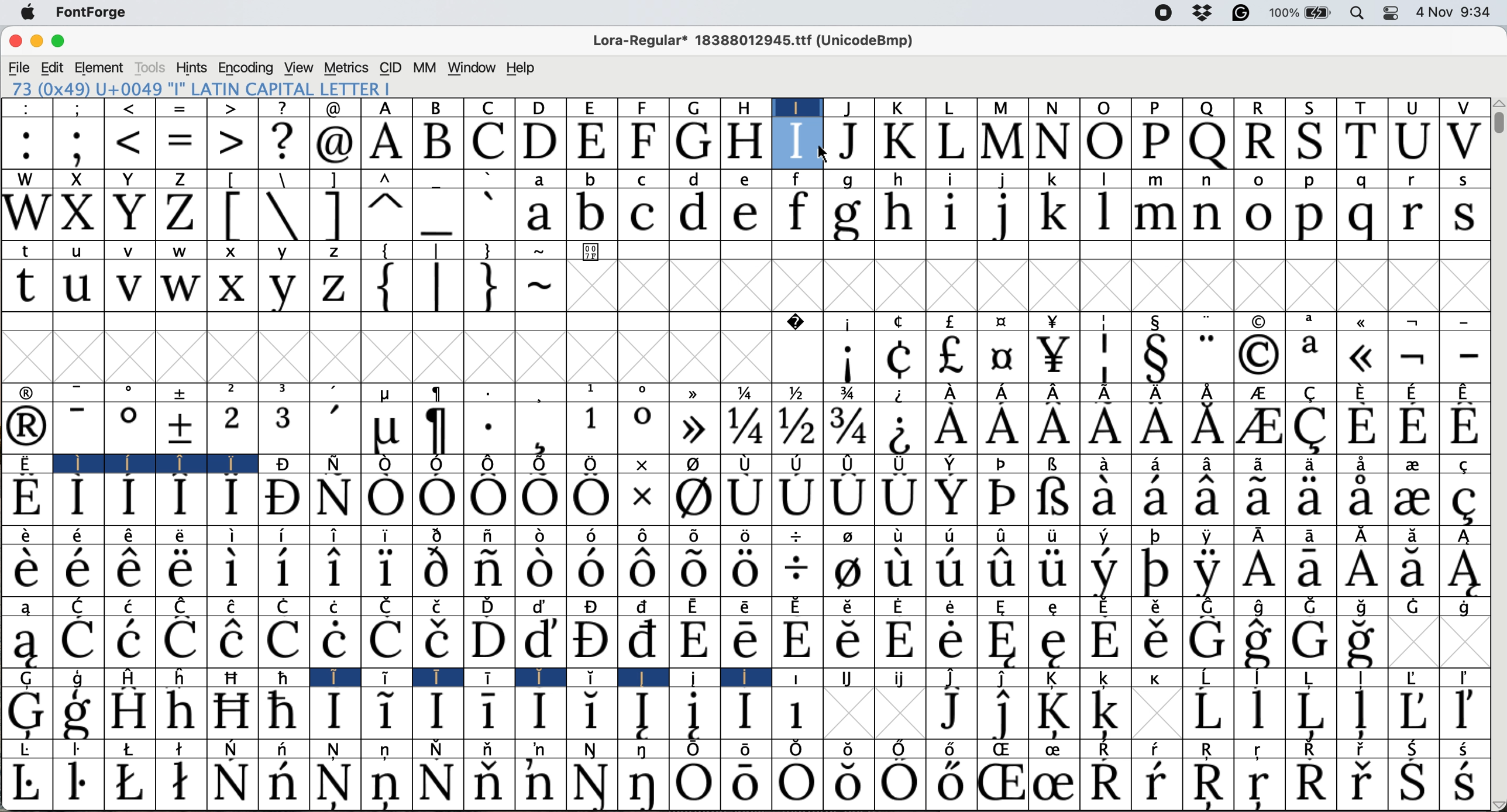  I want to click on Symbol, so click(439, 605).